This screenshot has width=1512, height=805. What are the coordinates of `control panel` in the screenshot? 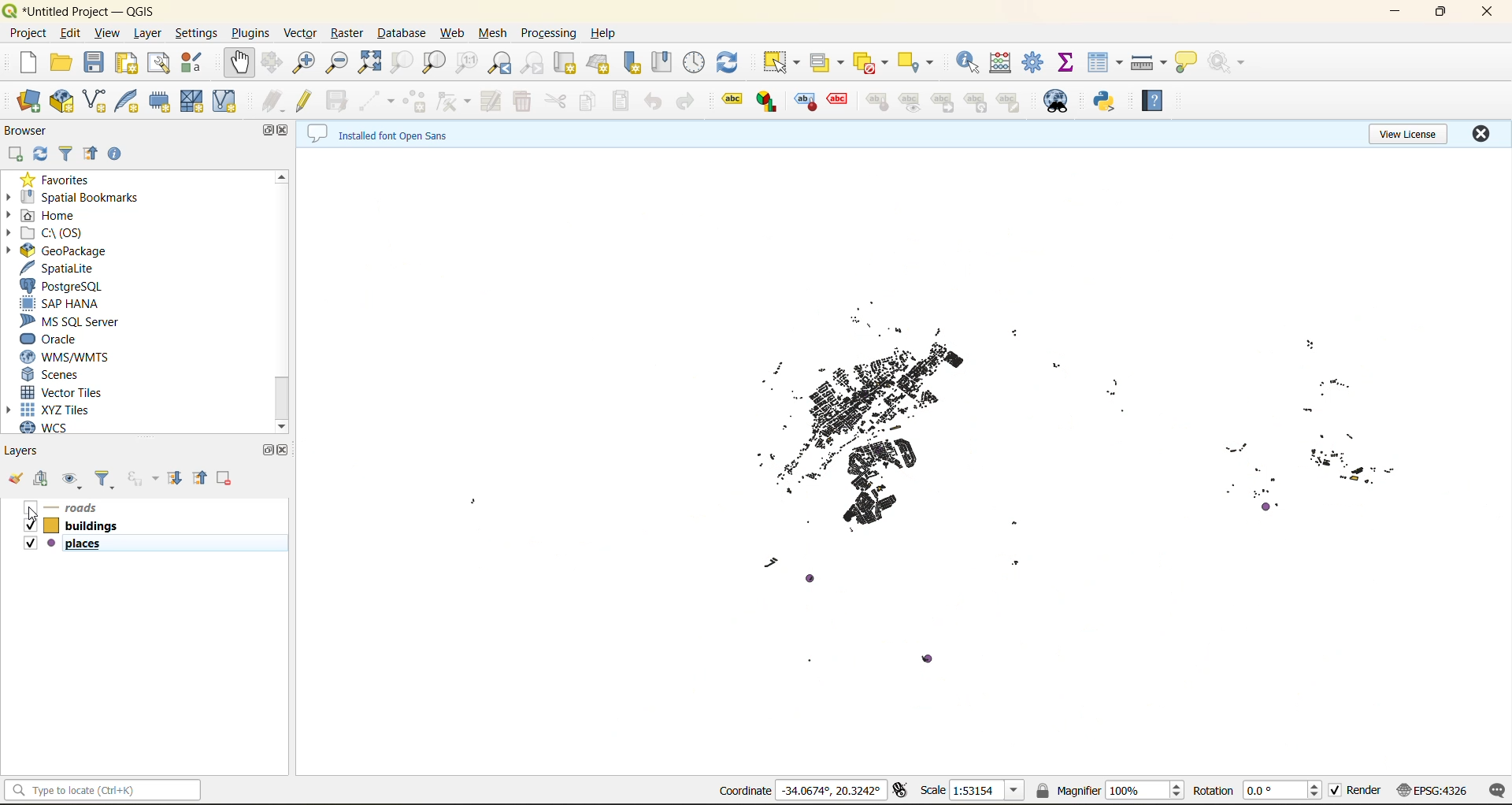 It's located at (695, 64).